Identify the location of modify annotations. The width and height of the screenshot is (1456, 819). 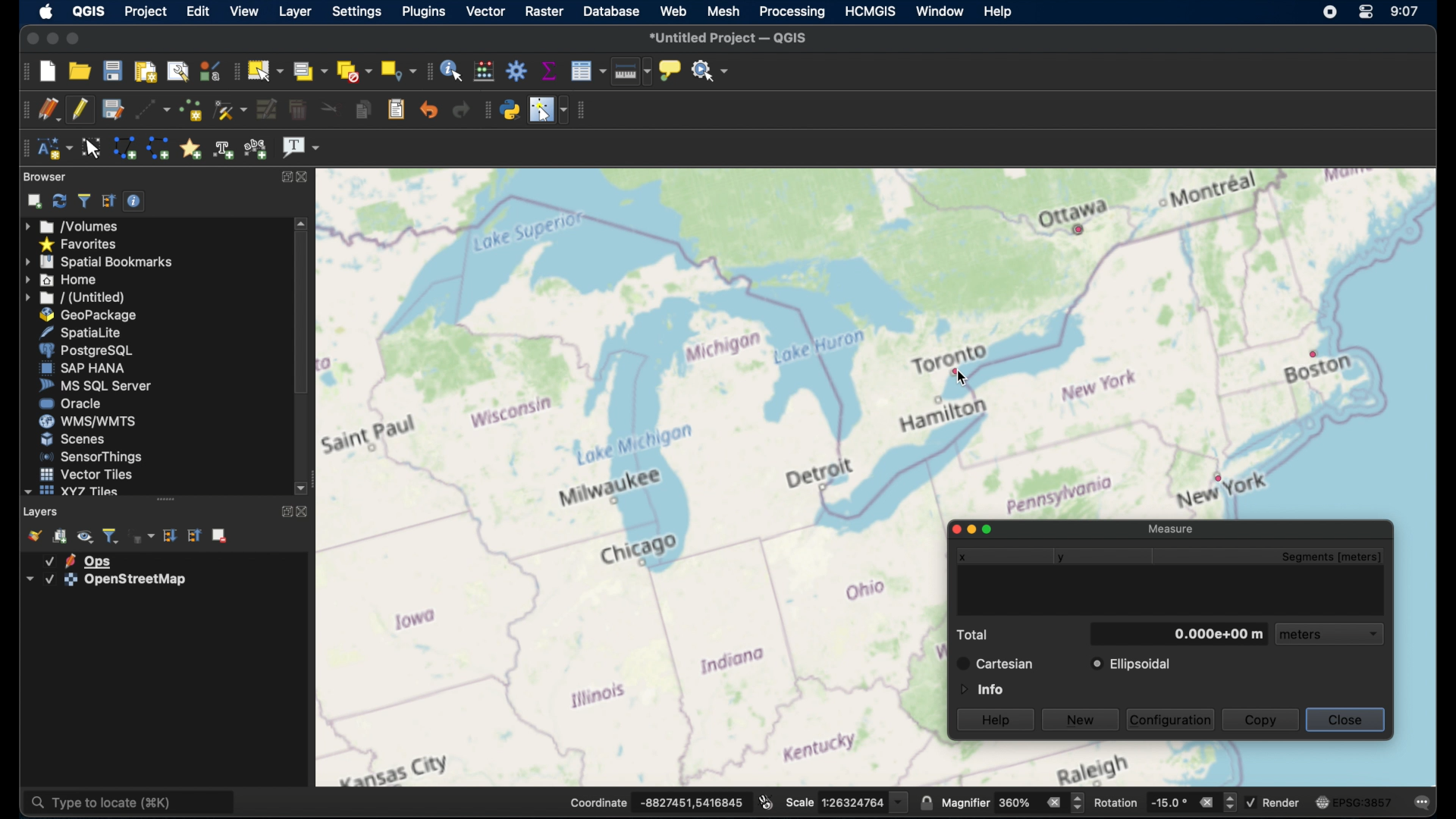
(93, 147).